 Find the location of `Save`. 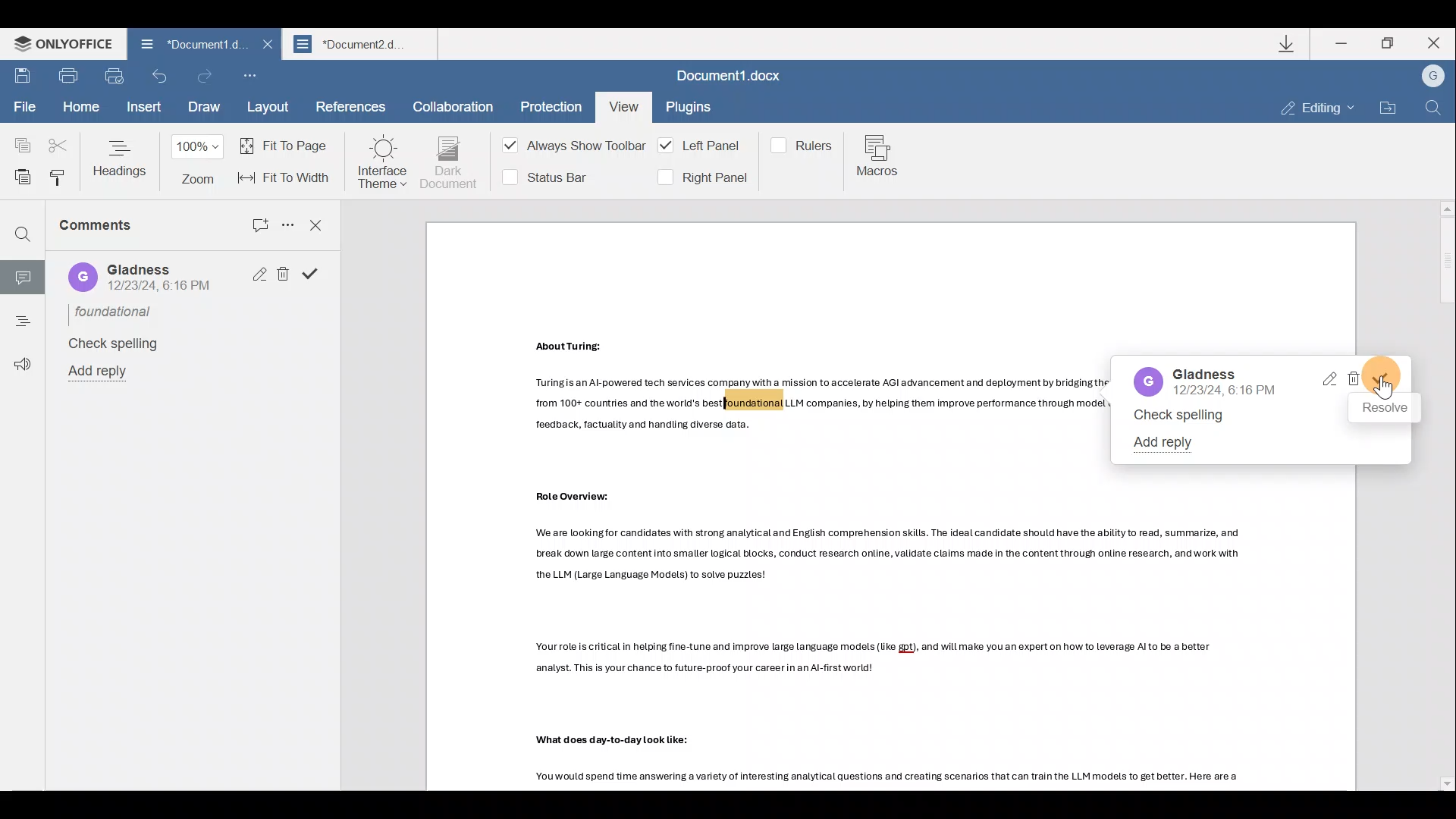

Save is located at coordinates (23, 77).